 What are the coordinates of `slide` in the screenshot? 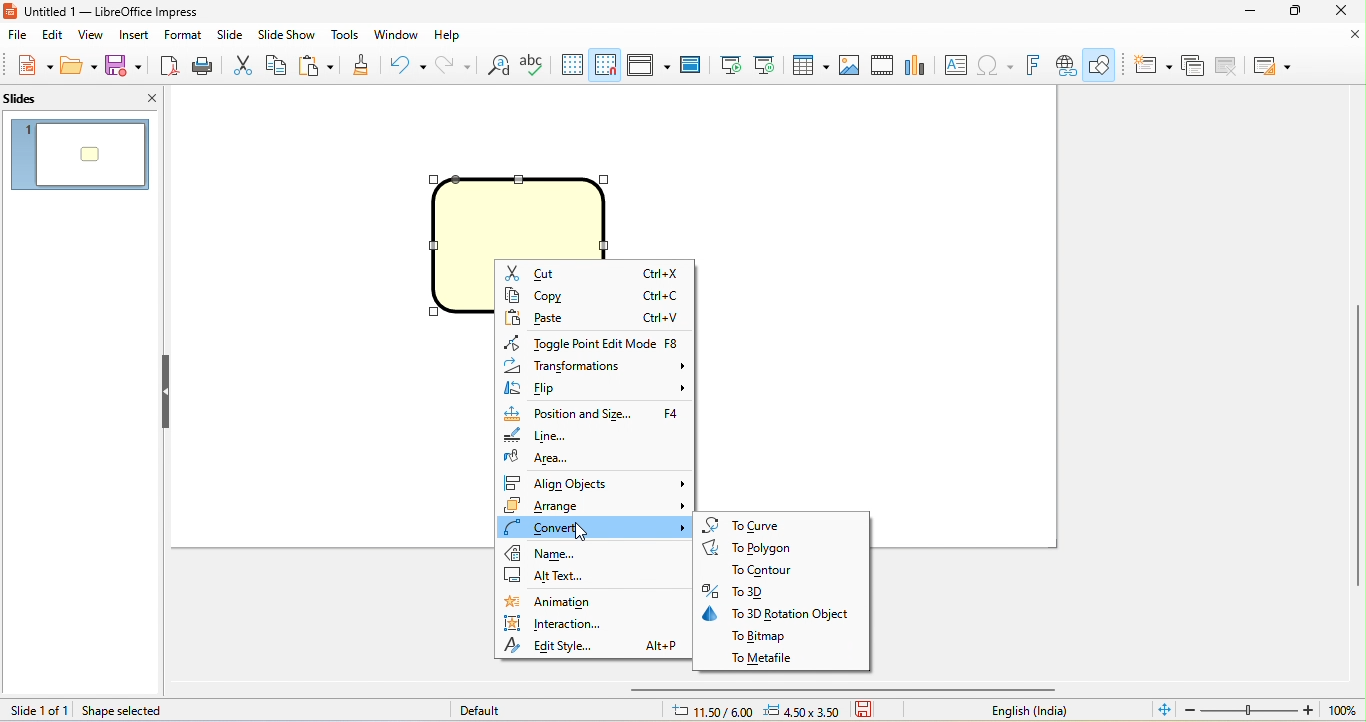 It's located at (232, 33).